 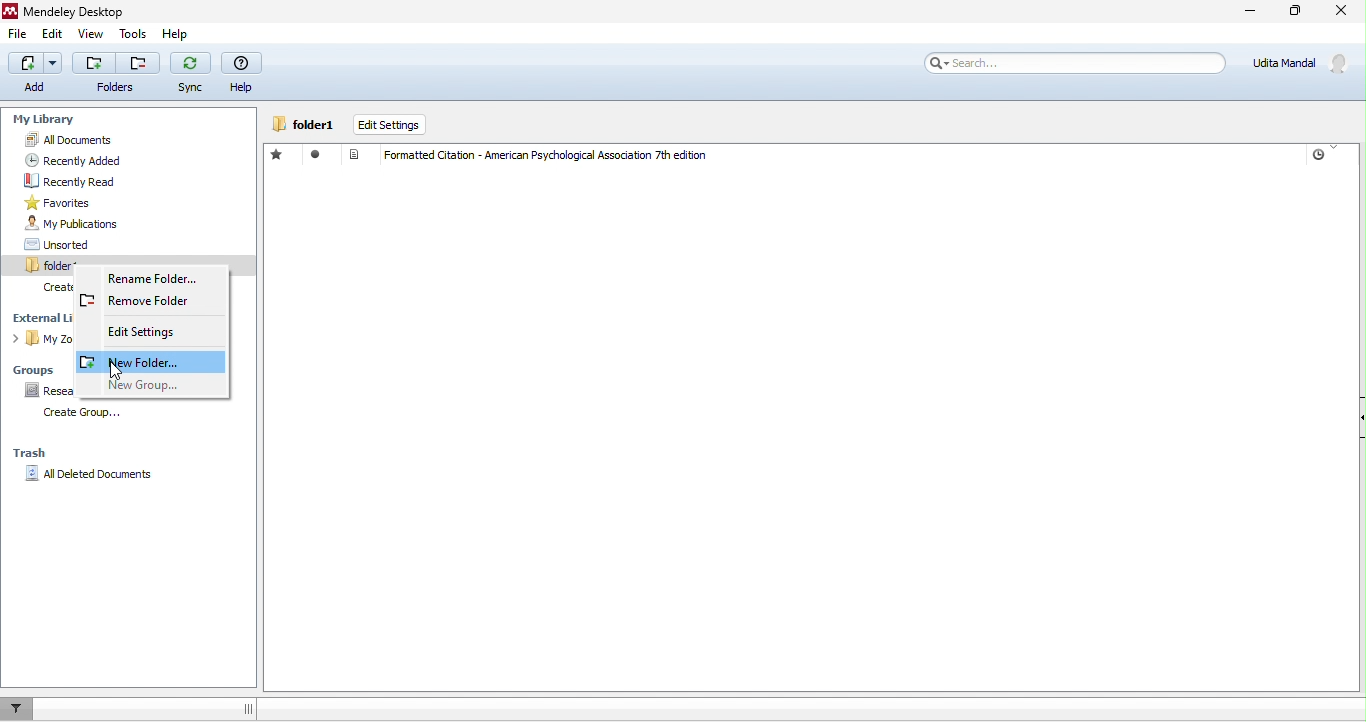 What do you see at coordinates (39, 74) in the screenshot?
I see `add` at bounding box center [39, 74].